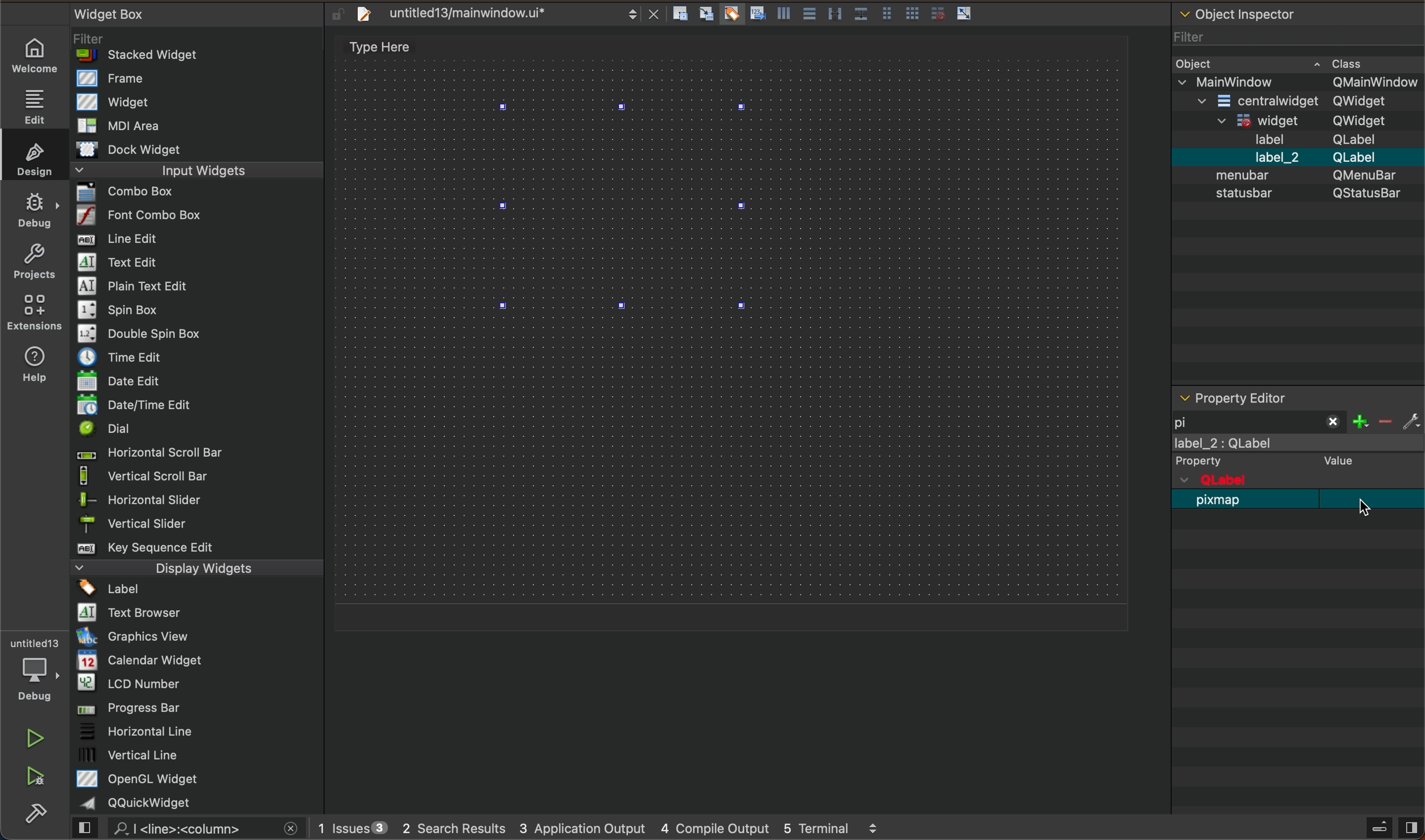 Image resolution: width=1425 pixels, height=840 pixels. I want to click on build, so click(43, 818).